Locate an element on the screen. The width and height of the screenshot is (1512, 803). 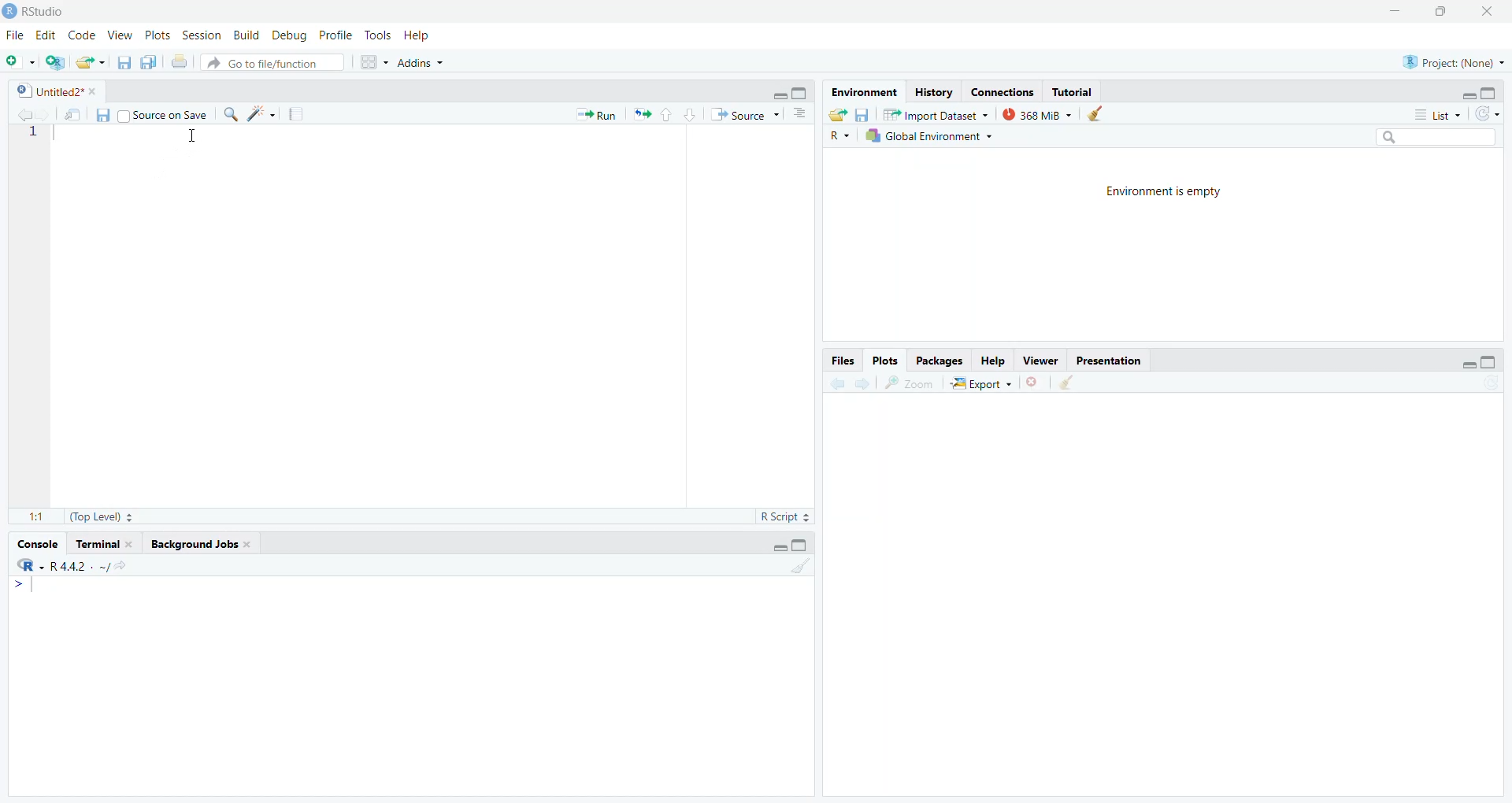
Help is located at coordinates (997, 361).